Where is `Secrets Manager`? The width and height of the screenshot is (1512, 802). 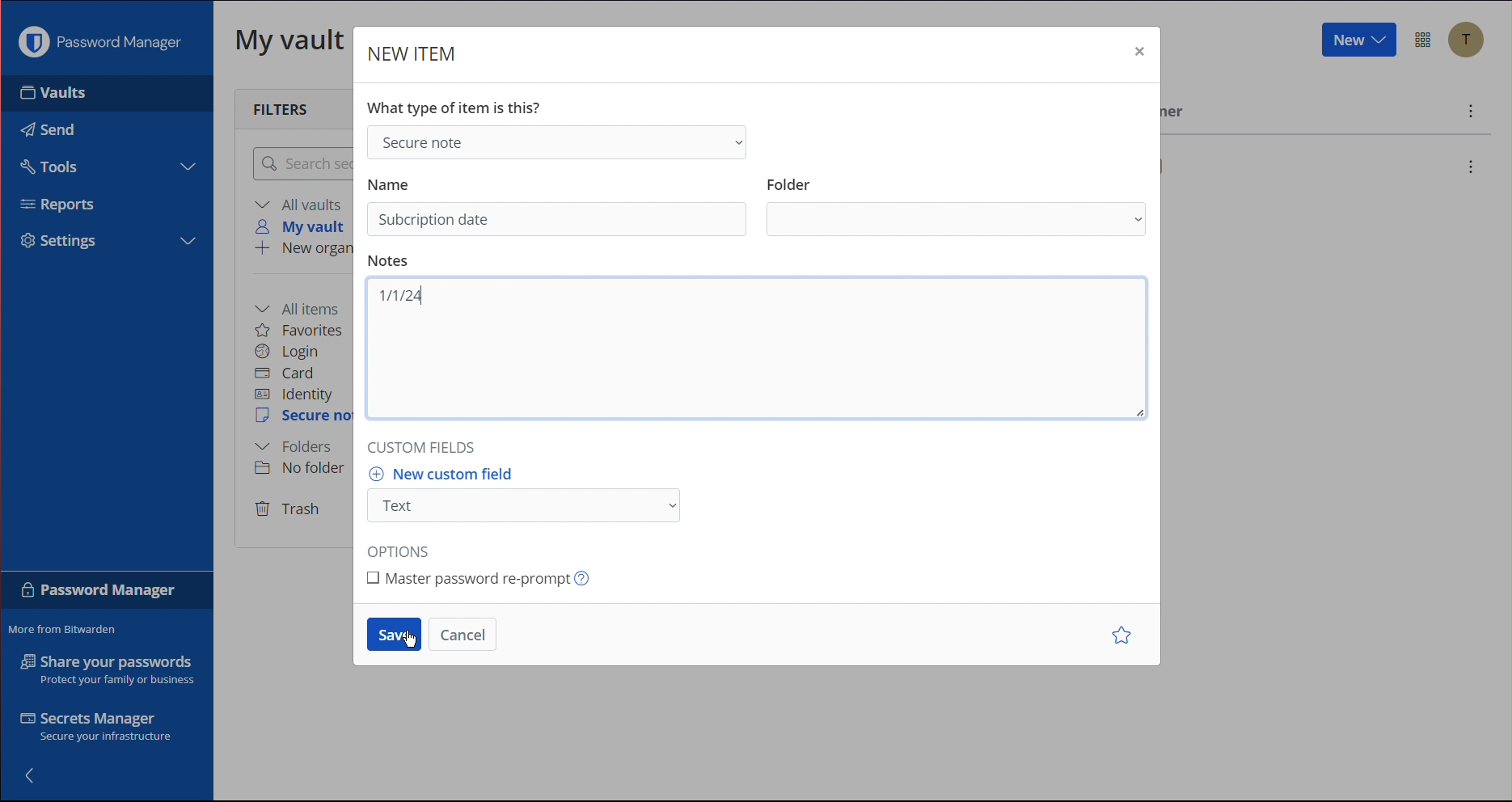 Secrets Manager is located at coordinates (99, 729).